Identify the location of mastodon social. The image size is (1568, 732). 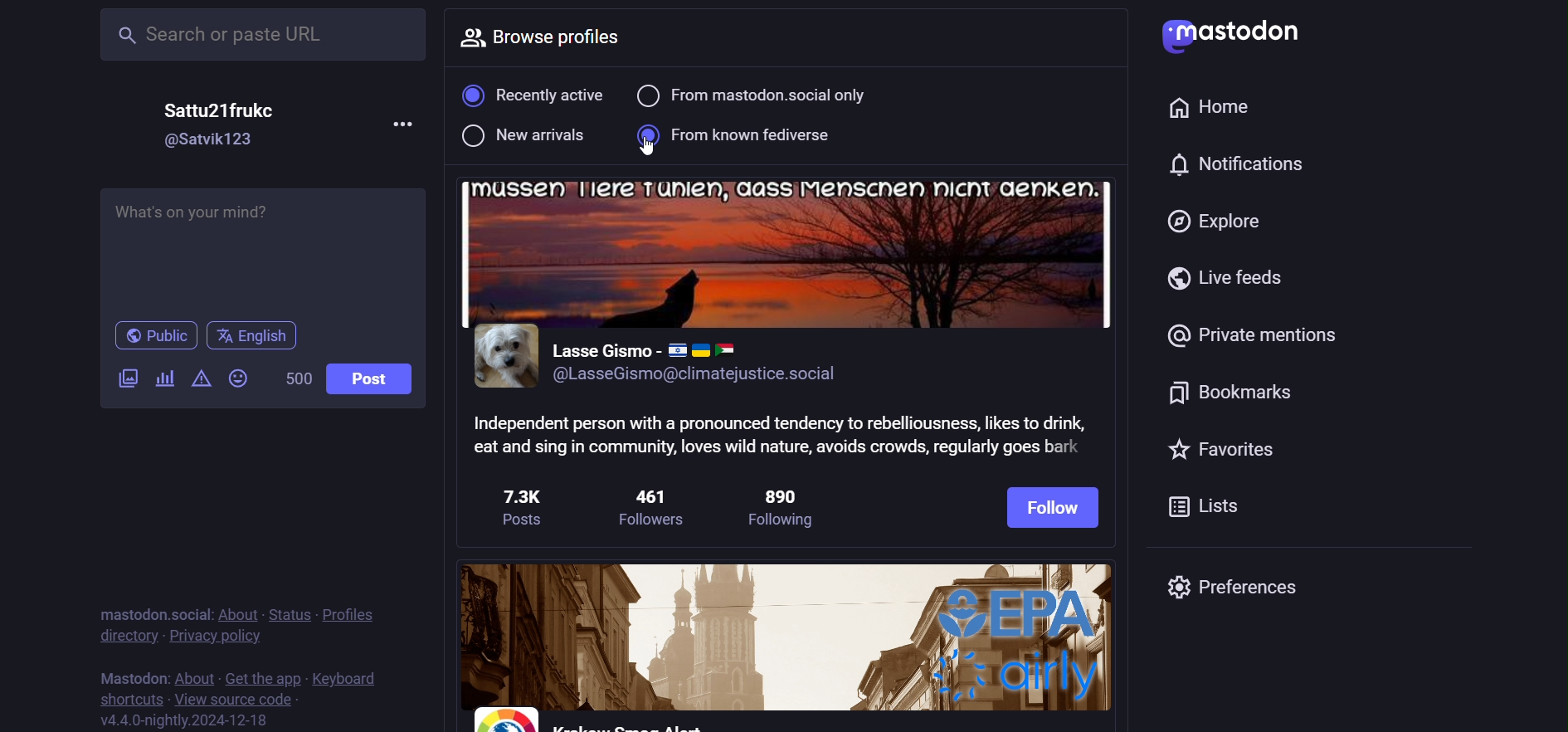
(151, 611).